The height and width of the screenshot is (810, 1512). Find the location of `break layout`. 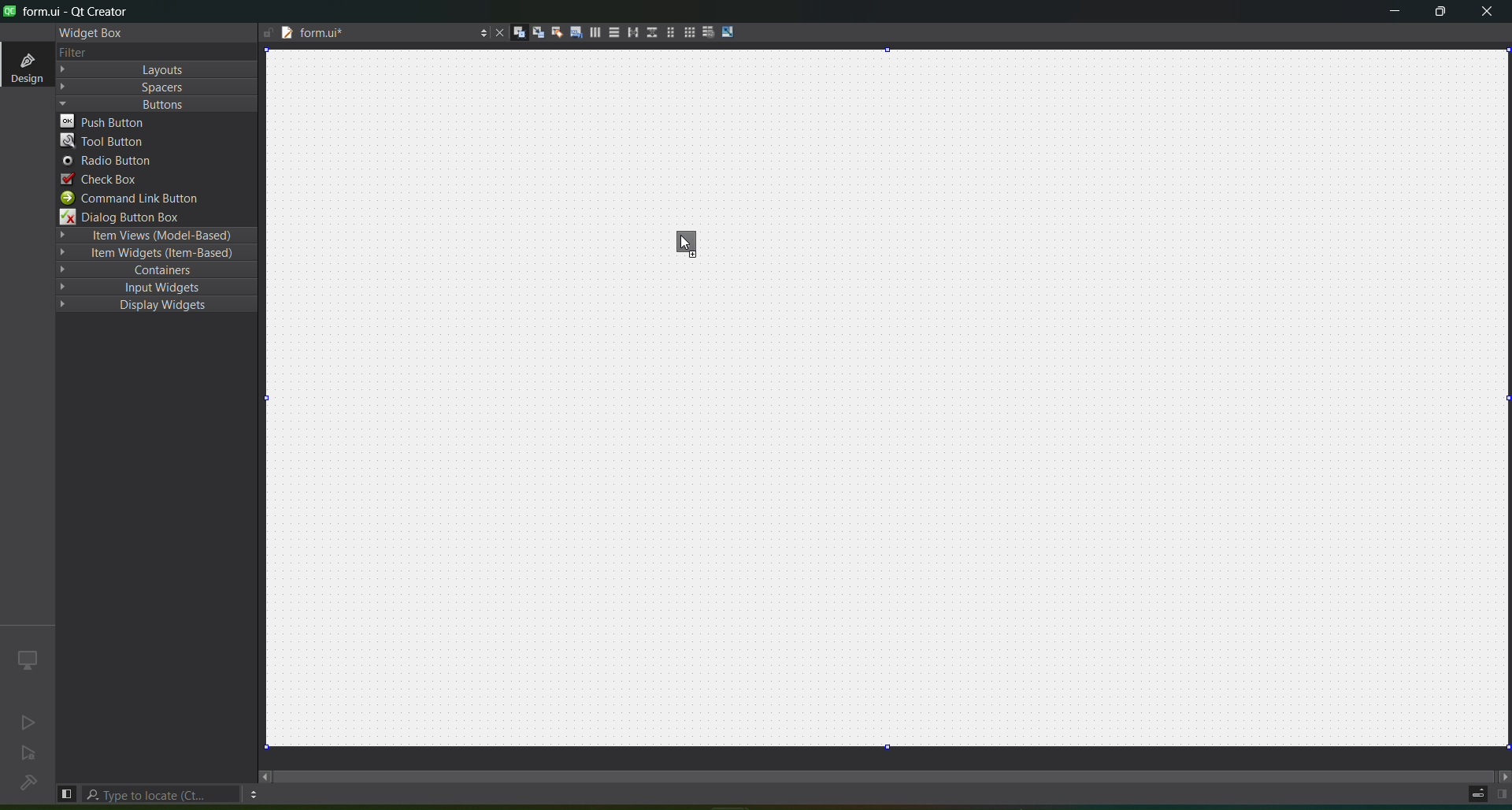

break layout is located at coordinates (708, 30).